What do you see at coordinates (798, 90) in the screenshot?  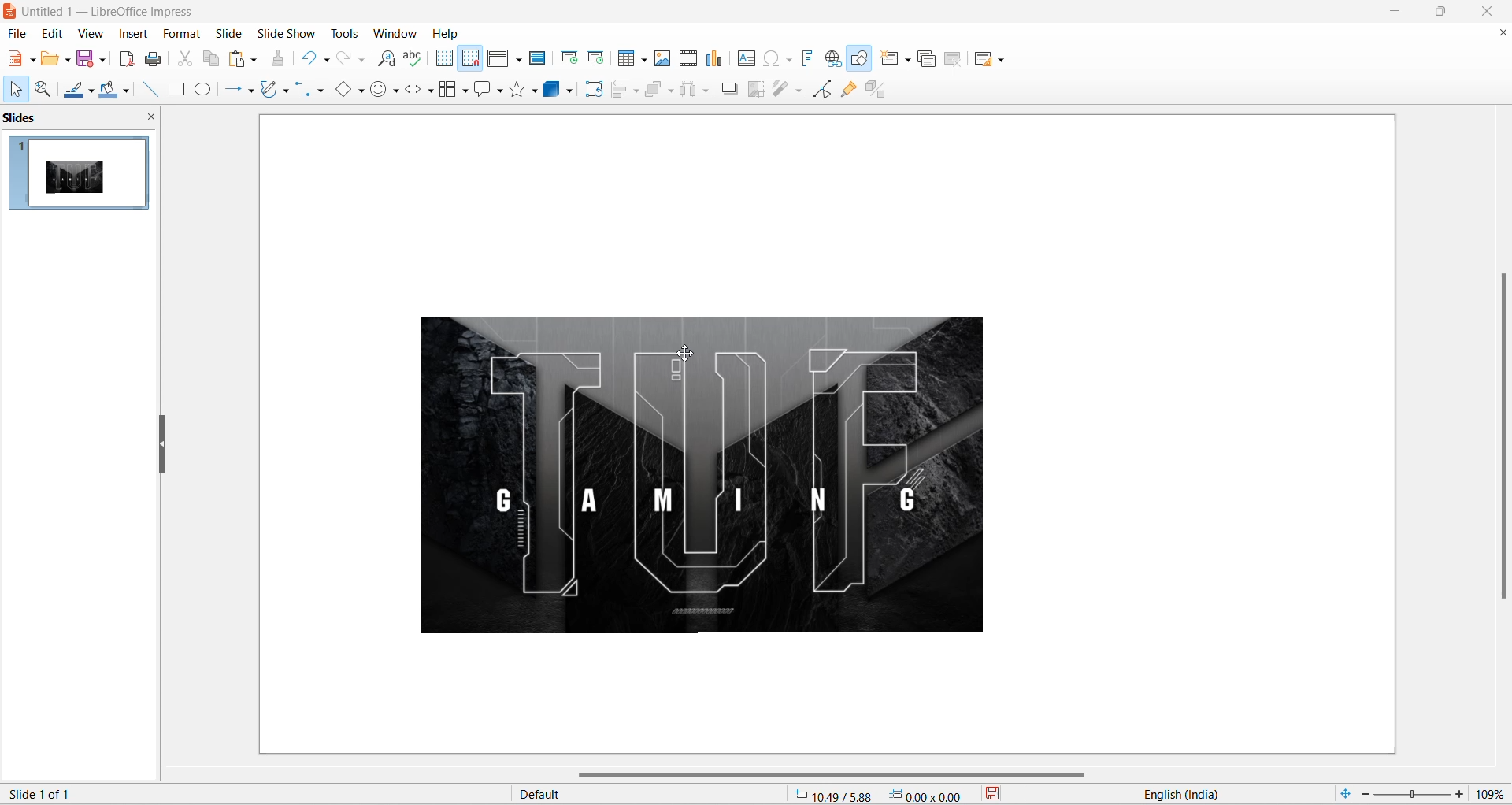 I see `filter options` at bounding box center [798, 90].